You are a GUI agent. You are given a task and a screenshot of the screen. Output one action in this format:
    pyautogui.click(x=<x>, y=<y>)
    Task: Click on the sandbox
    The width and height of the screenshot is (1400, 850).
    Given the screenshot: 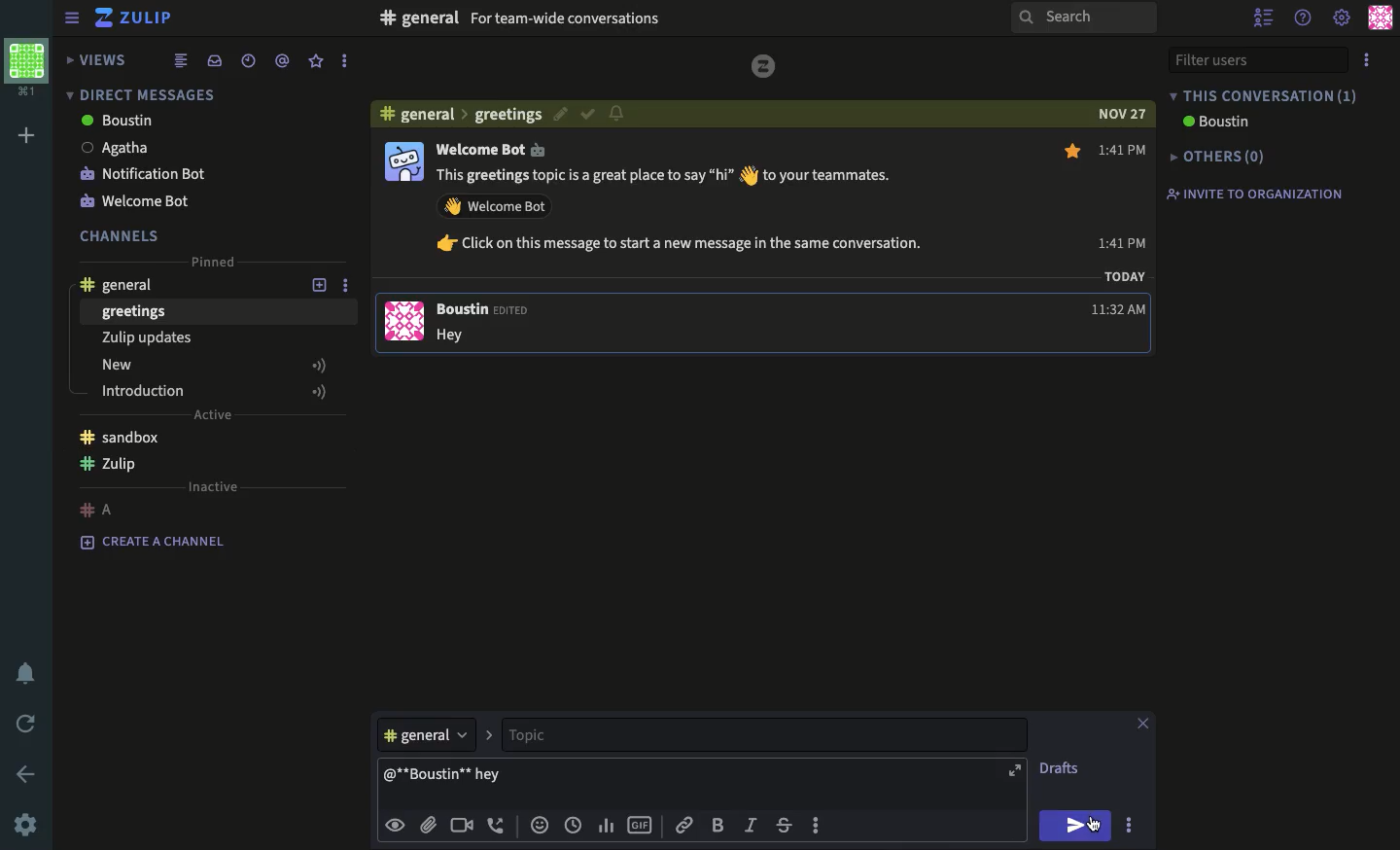 What is the action you would take?
    pyautogui.click(x=123, y=435)
    